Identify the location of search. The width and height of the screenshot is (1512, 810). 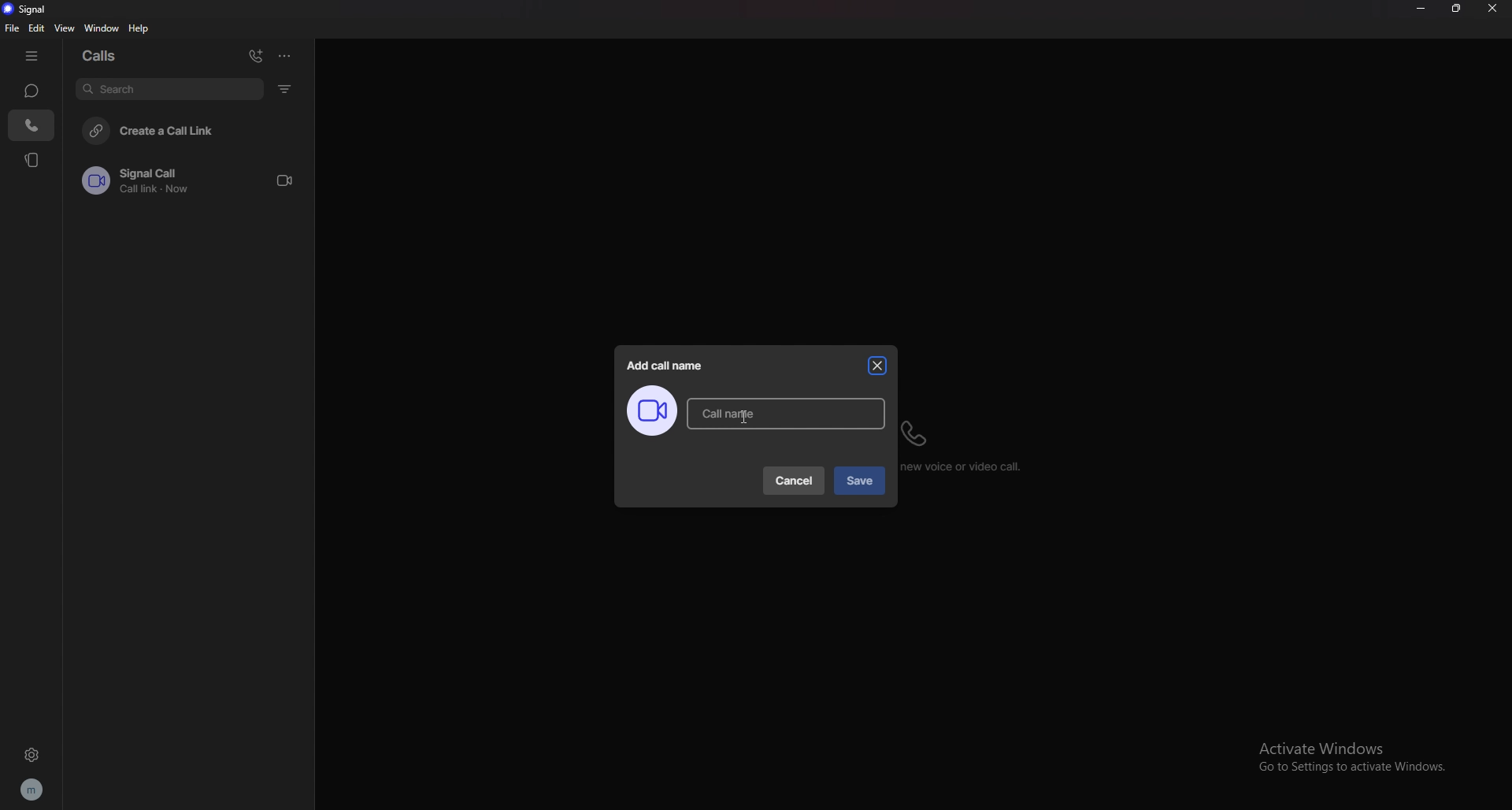
(169, 88).